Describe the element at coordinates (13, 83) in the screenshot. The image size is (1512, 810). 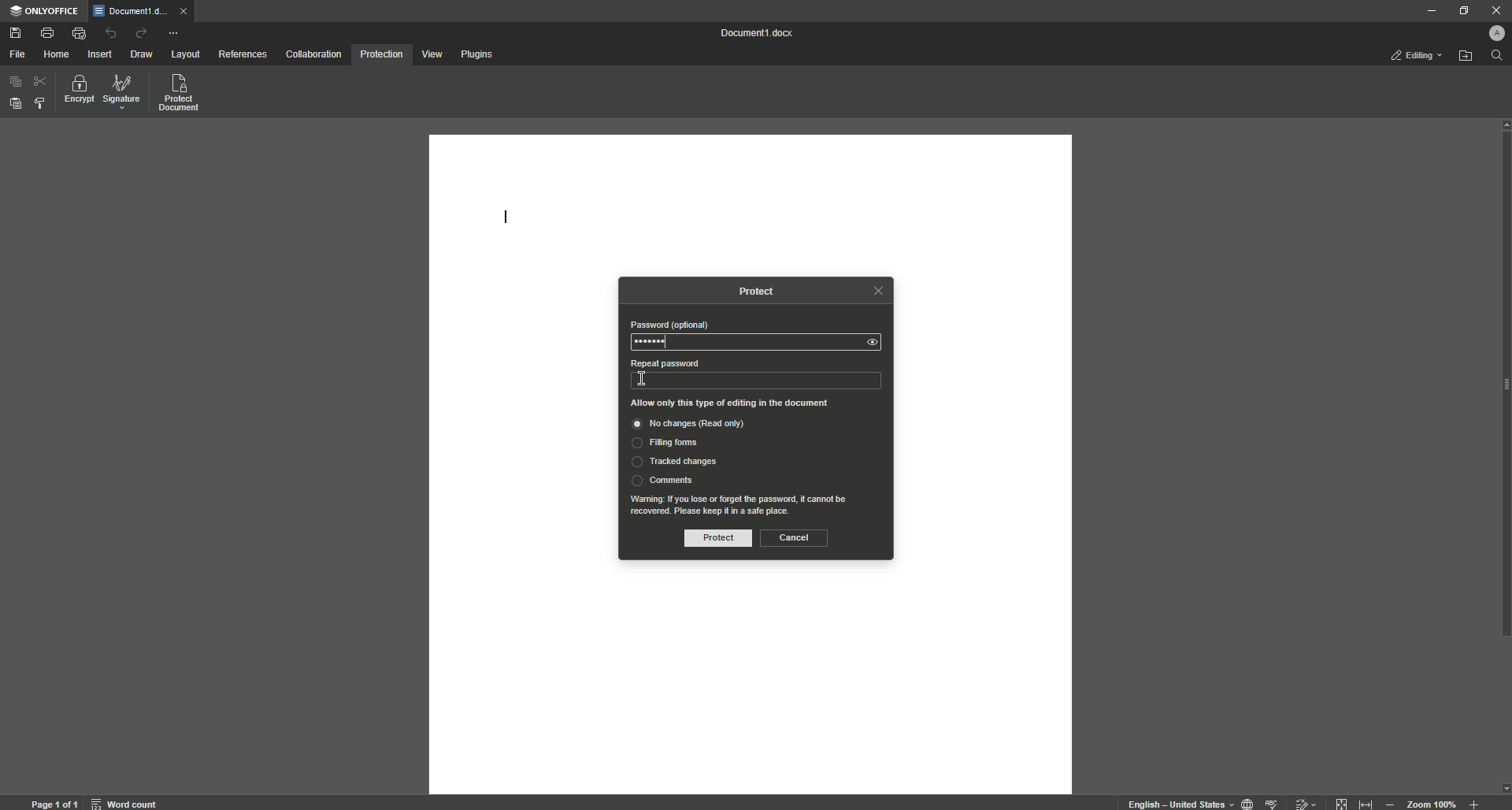
I see `Copy` at that location.